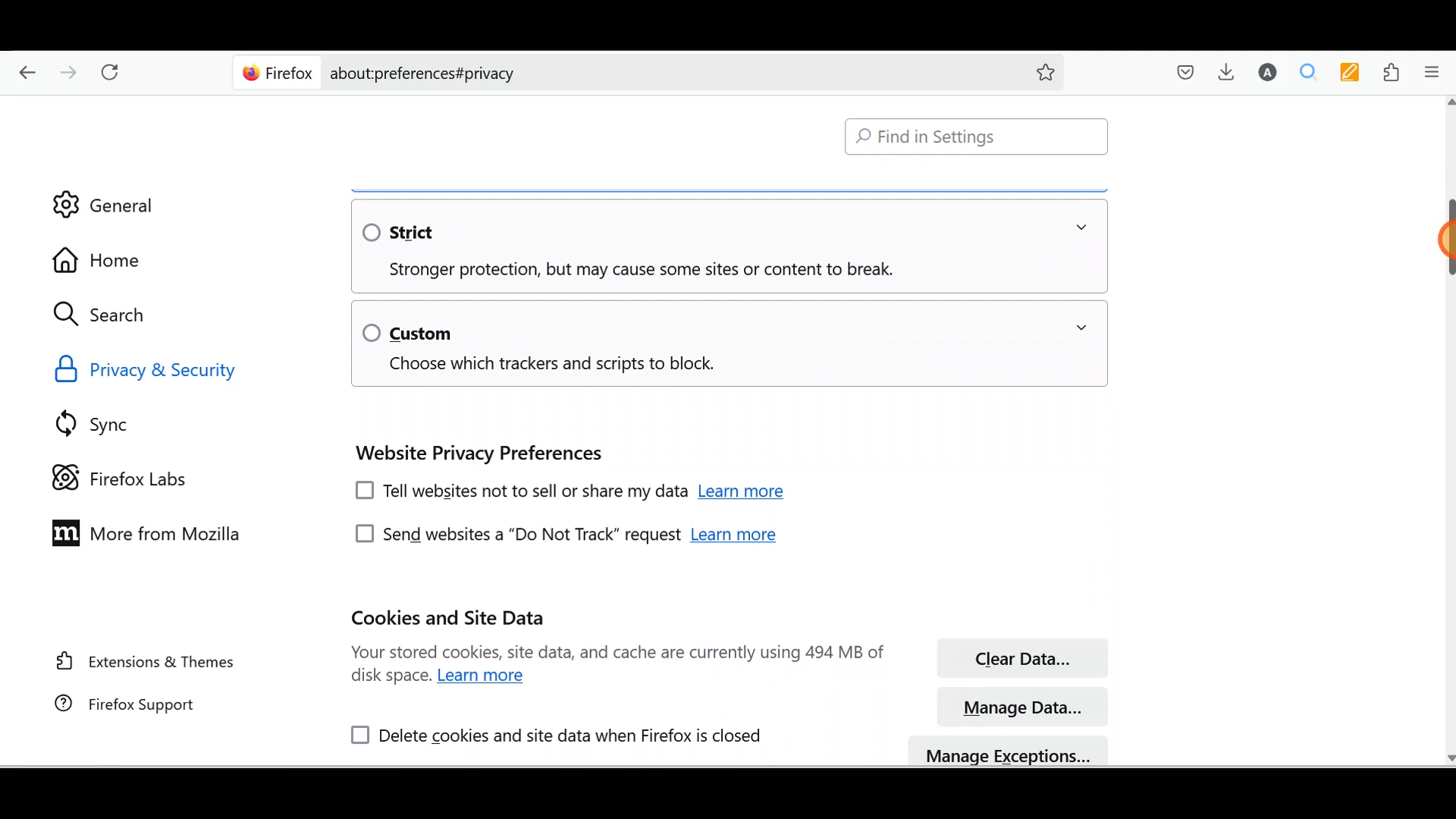 The width and height of the screenshot is (1456, 819). What do you see at coordinates (391, 677) in the screenshot?
I see `disk space.` at bounding box center [391, 677].